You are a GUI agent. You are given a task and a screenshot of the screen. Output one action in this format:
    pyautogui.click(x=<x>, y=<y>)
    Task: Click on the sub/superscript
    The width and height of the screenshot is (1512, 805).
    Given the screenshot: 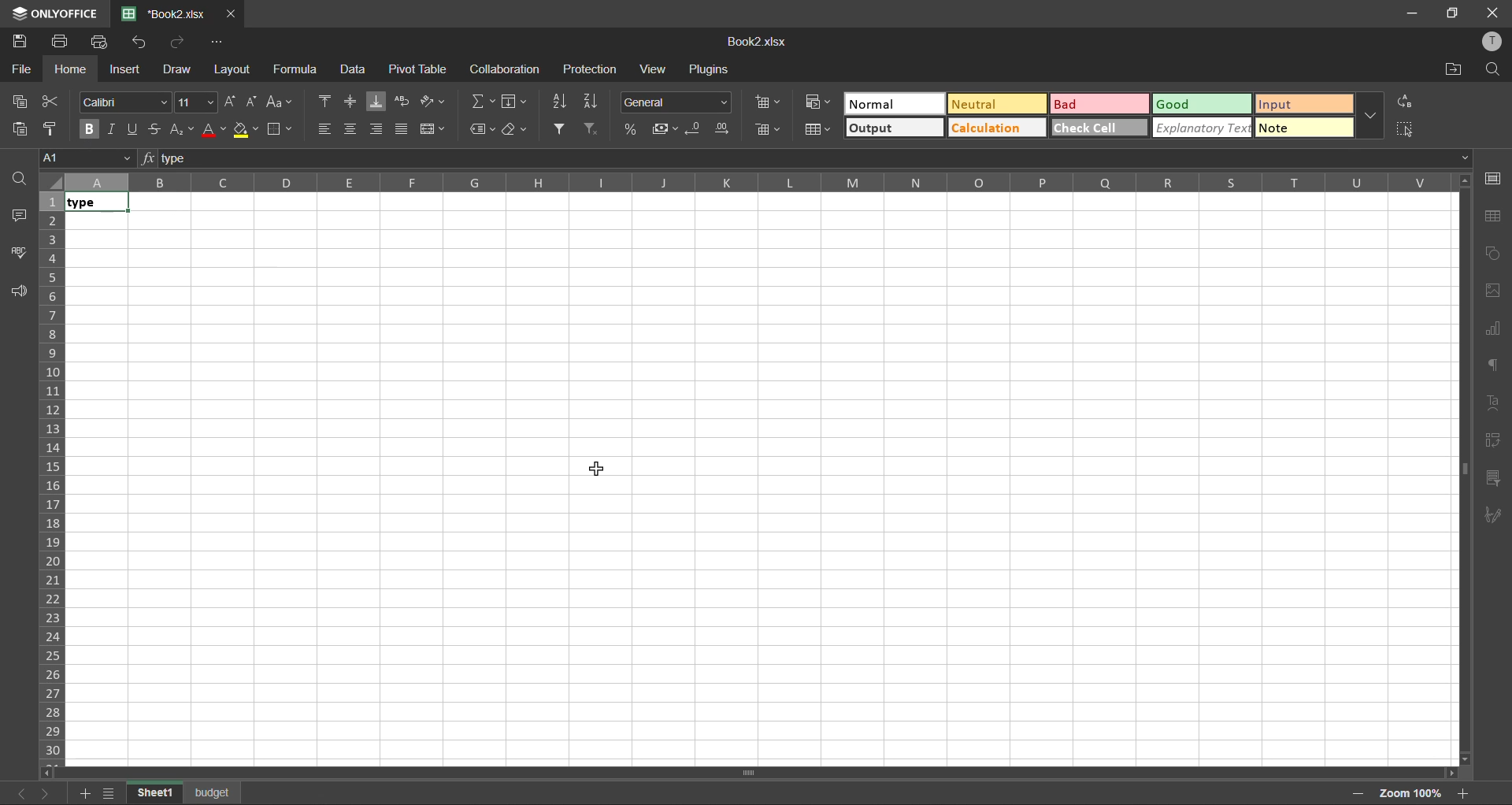 What is the action you would take?
    pyautogui.click(x=178, y=131)
    